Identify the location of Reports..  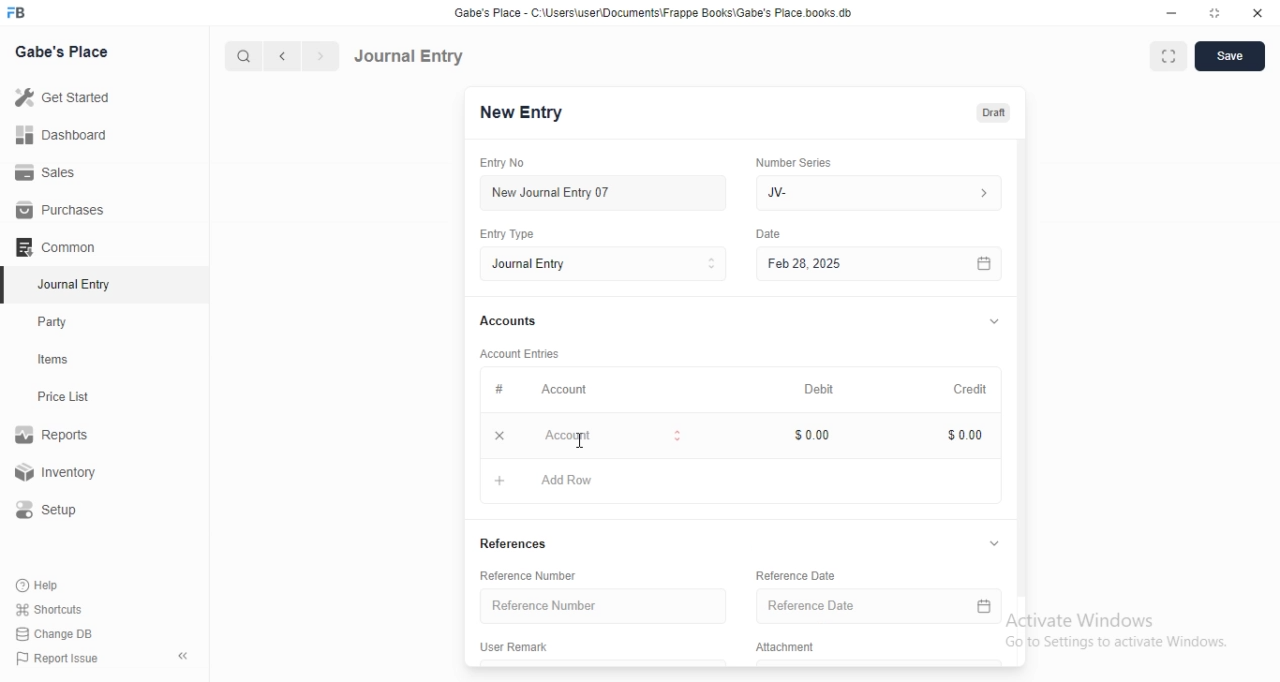
(55, 438).